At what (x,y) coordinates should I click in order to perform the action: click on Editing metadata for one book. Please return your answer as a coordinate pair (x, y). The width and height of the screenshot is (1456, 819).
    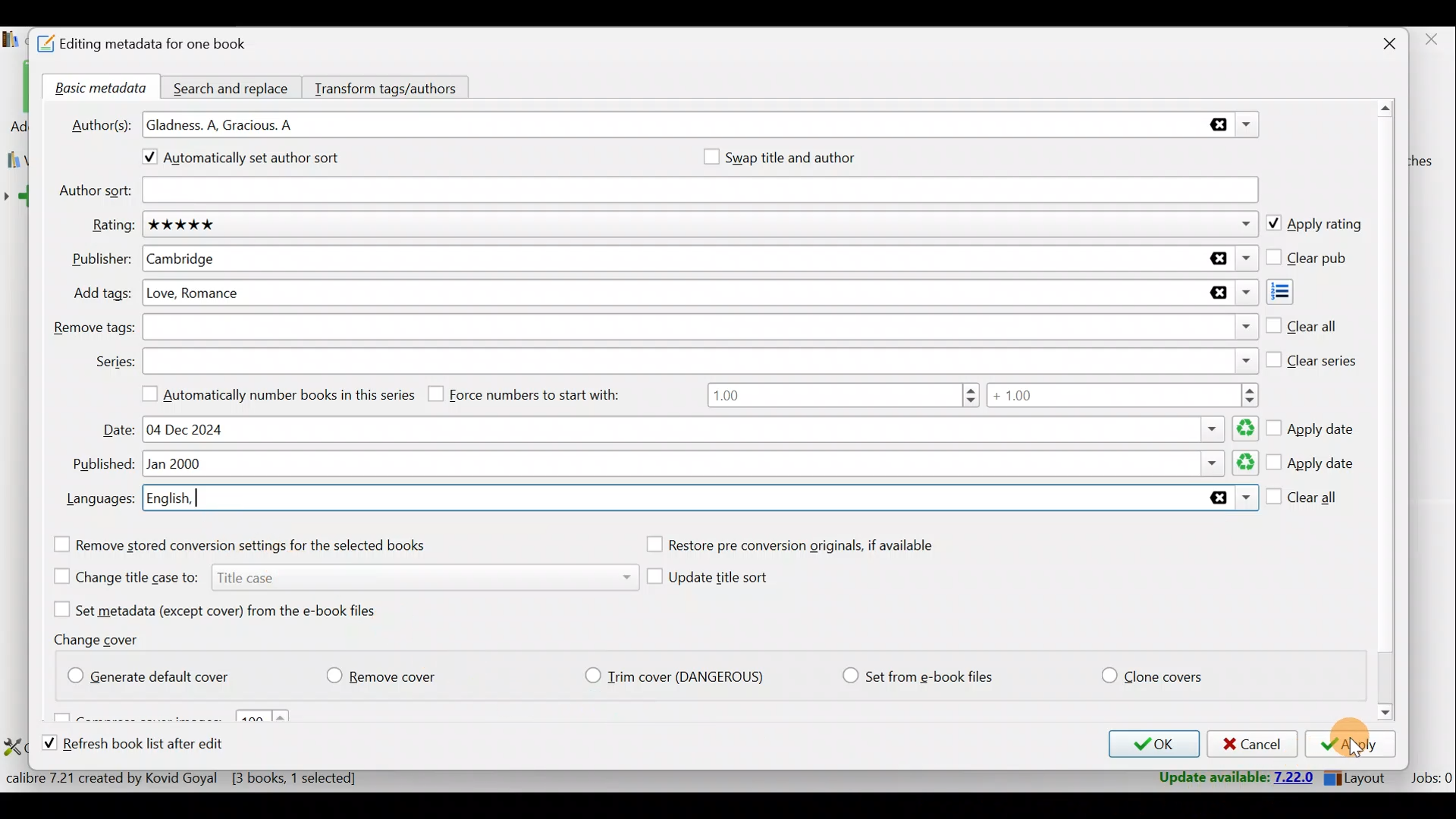
    Looking at the image, I should click on (161, 45).